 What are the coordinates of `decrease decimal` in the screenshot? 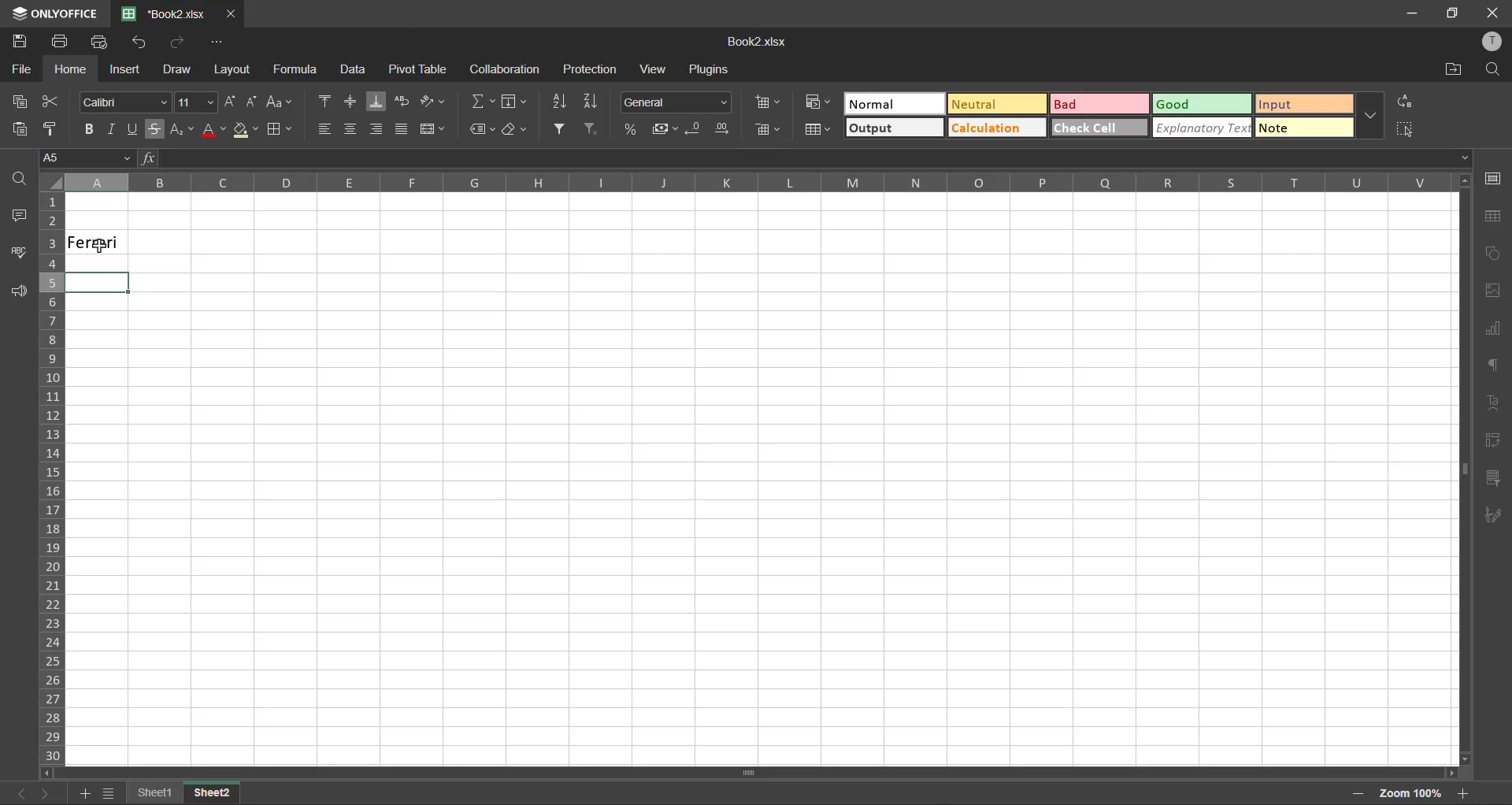 It's located at (695, 131).